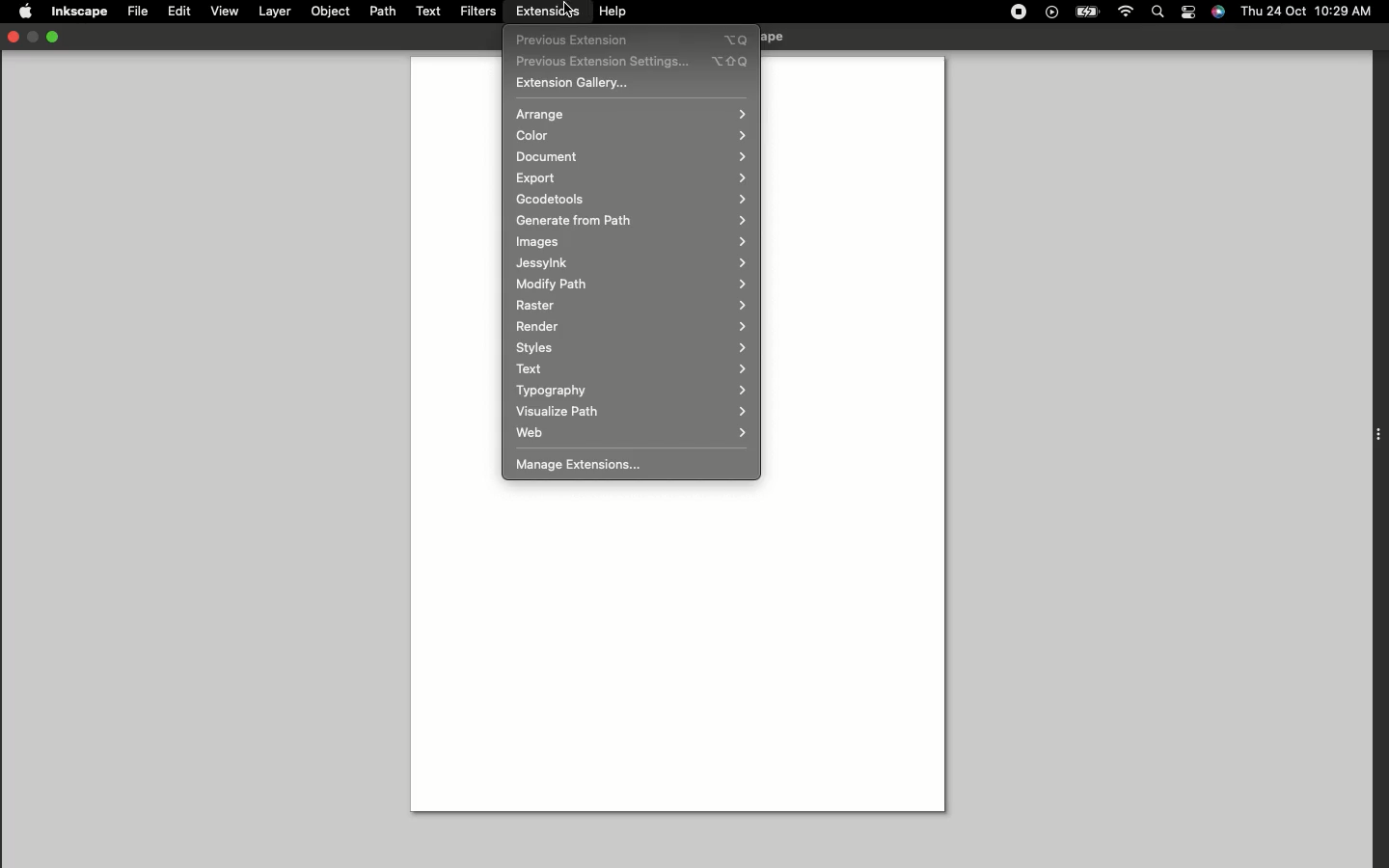 The width and height of the screenshot is (1389, 868). I want to click on Jessylnk, so click(630, 265).